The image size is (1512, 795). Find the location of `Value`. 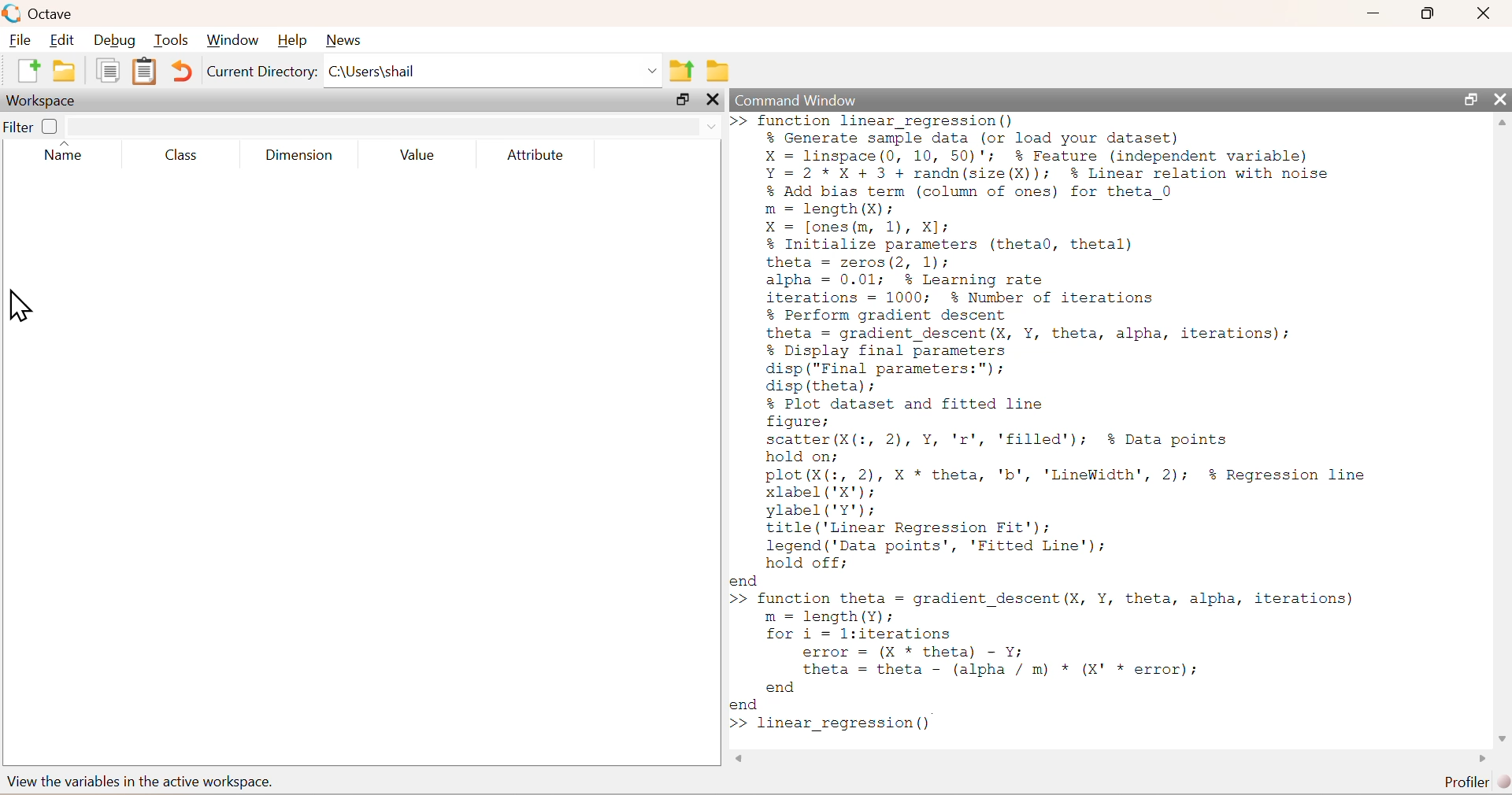

Value is located at coordinates (418, 155).